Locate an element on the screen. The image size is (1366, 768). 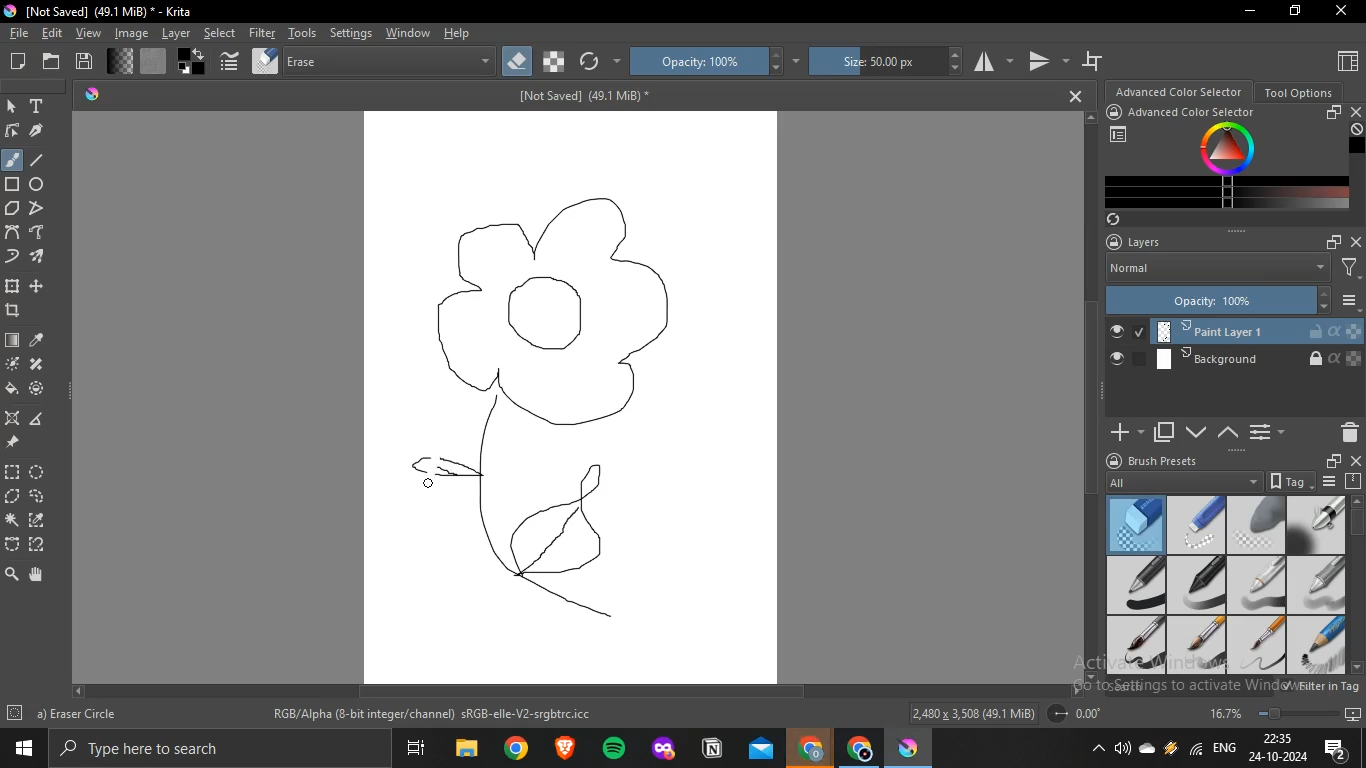
RGB/Alpha (8-bit integer/channel) sRGB-elle-V2-srgbtrc.icc is located at coordinates (436, 716).